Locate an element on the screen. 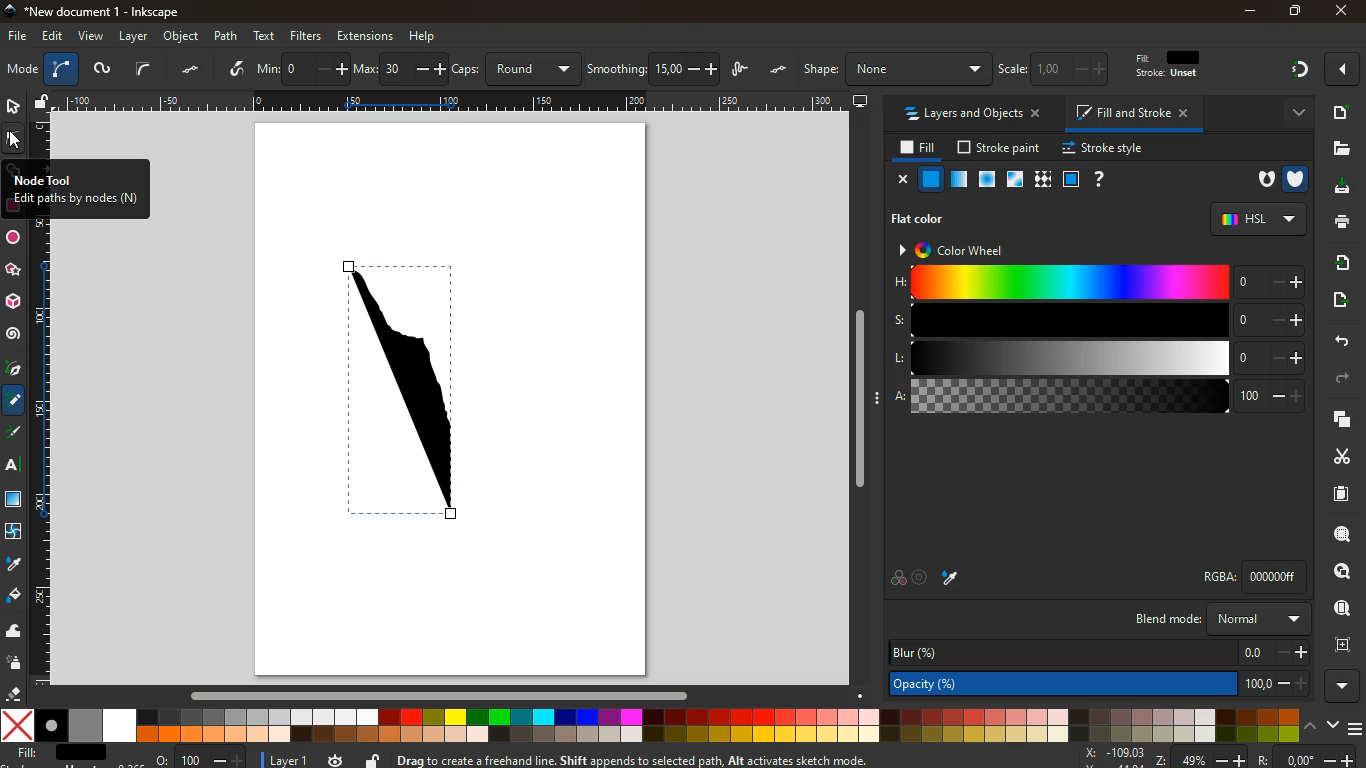 This screenshot has width=1366, height=768. 3d tool is located at coordinates (15, 302).